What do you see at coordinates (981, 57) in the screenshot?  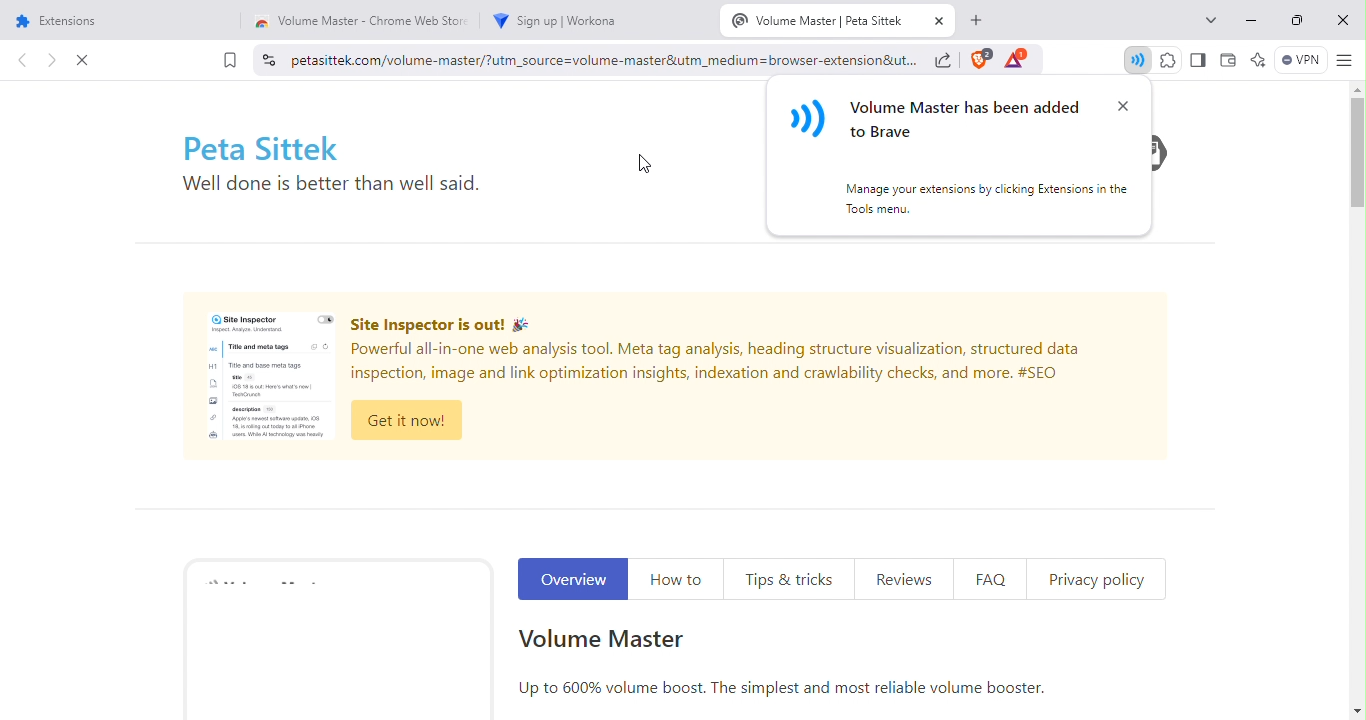 I see `brave shields ` at bounding box center [981, 57].